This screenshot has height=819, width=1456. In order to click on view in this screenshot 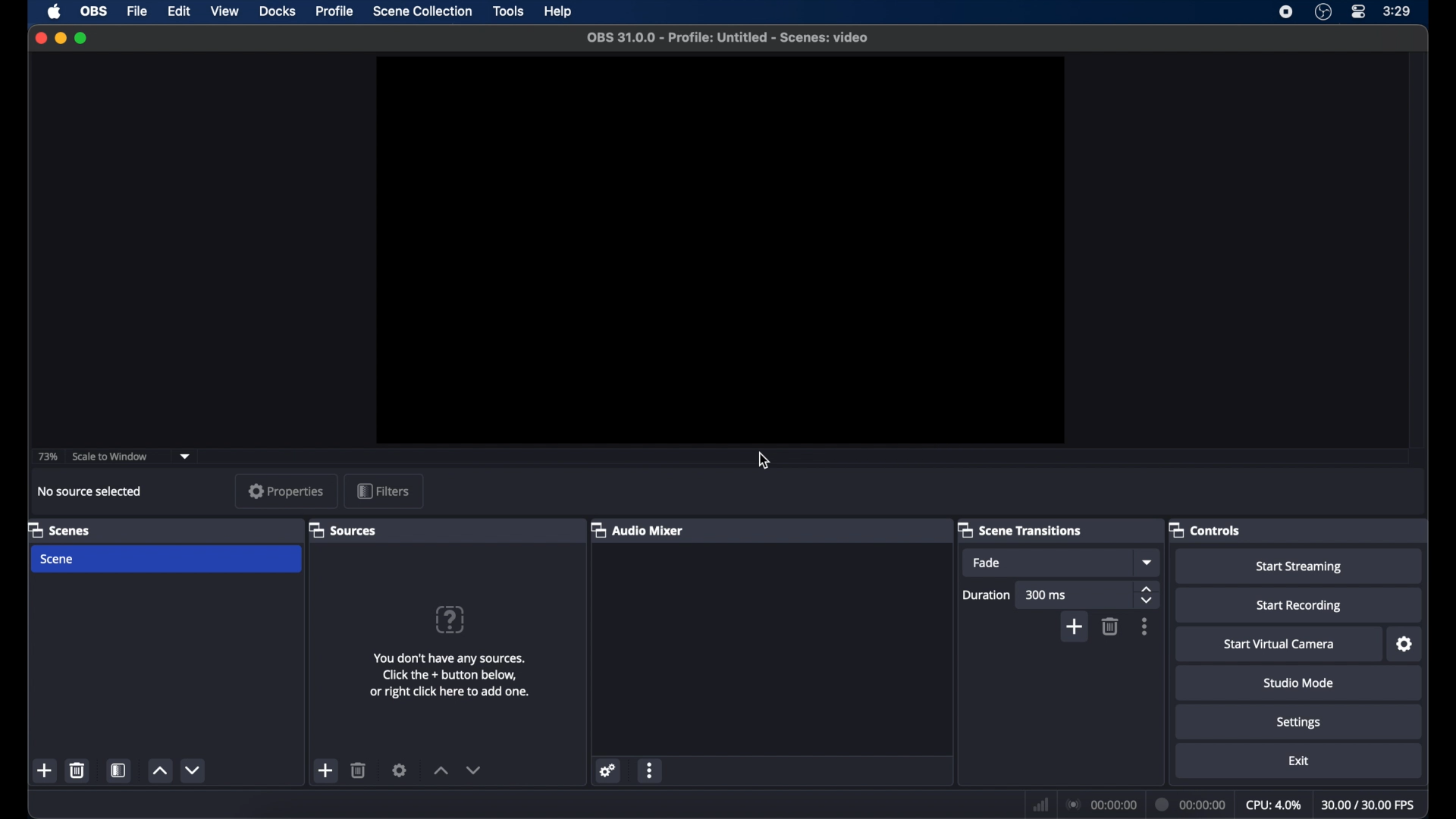, I will do `click(224, 11)`.